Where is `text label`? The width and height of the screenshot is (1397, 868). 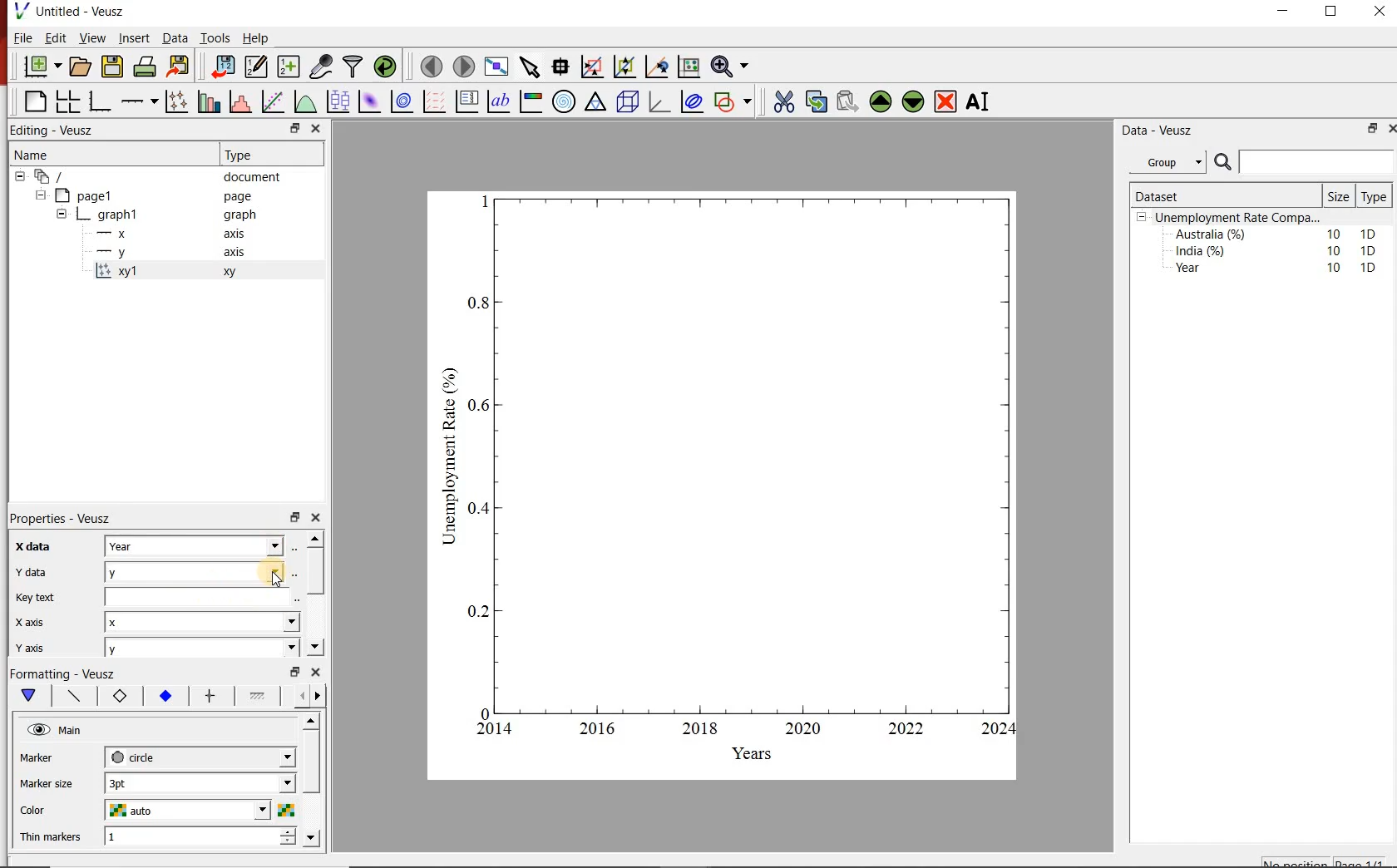 text label is located at coordinates (499, 101).